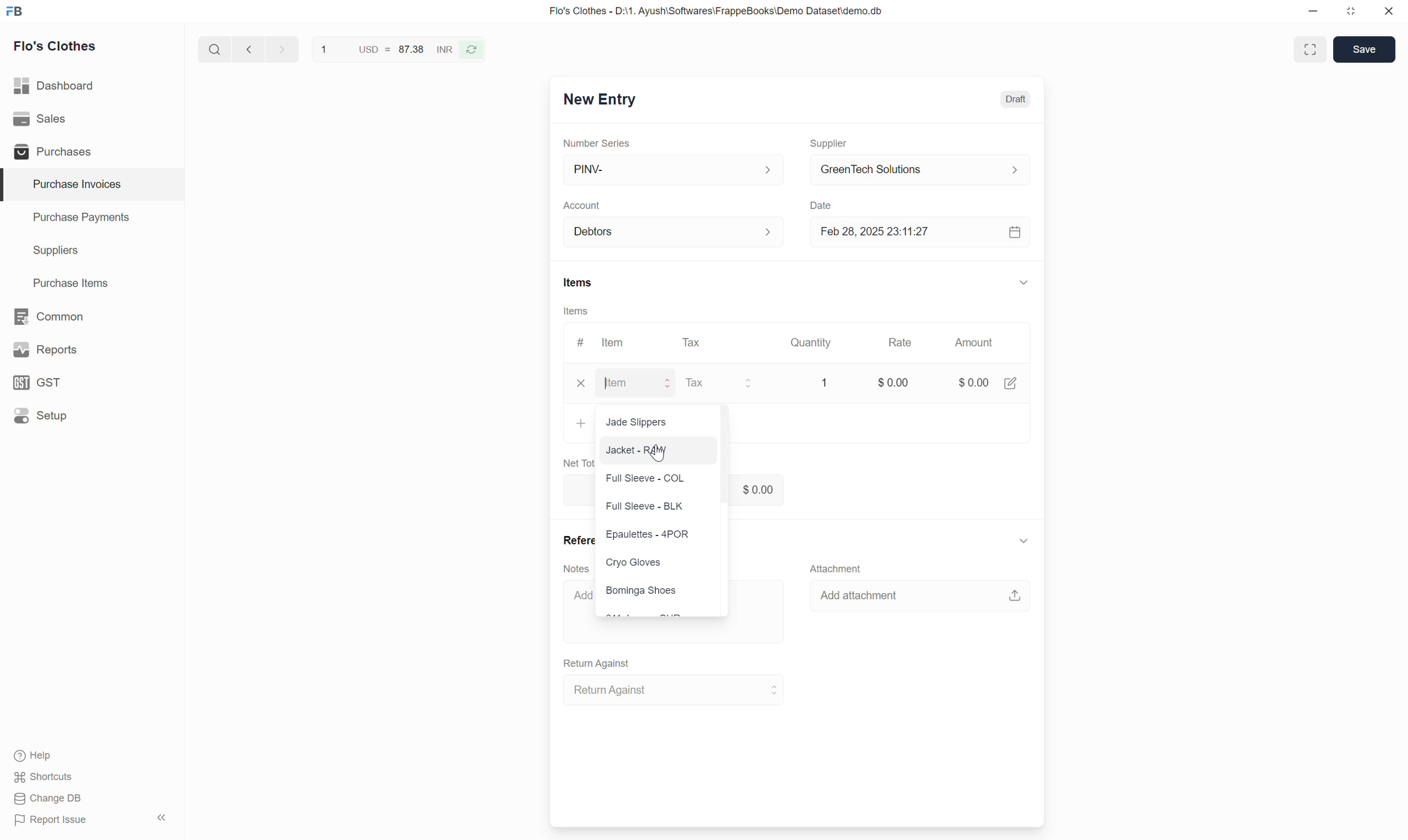 This screenshot has height=840, width=1408. I want to click on Search, so click(215, 49).